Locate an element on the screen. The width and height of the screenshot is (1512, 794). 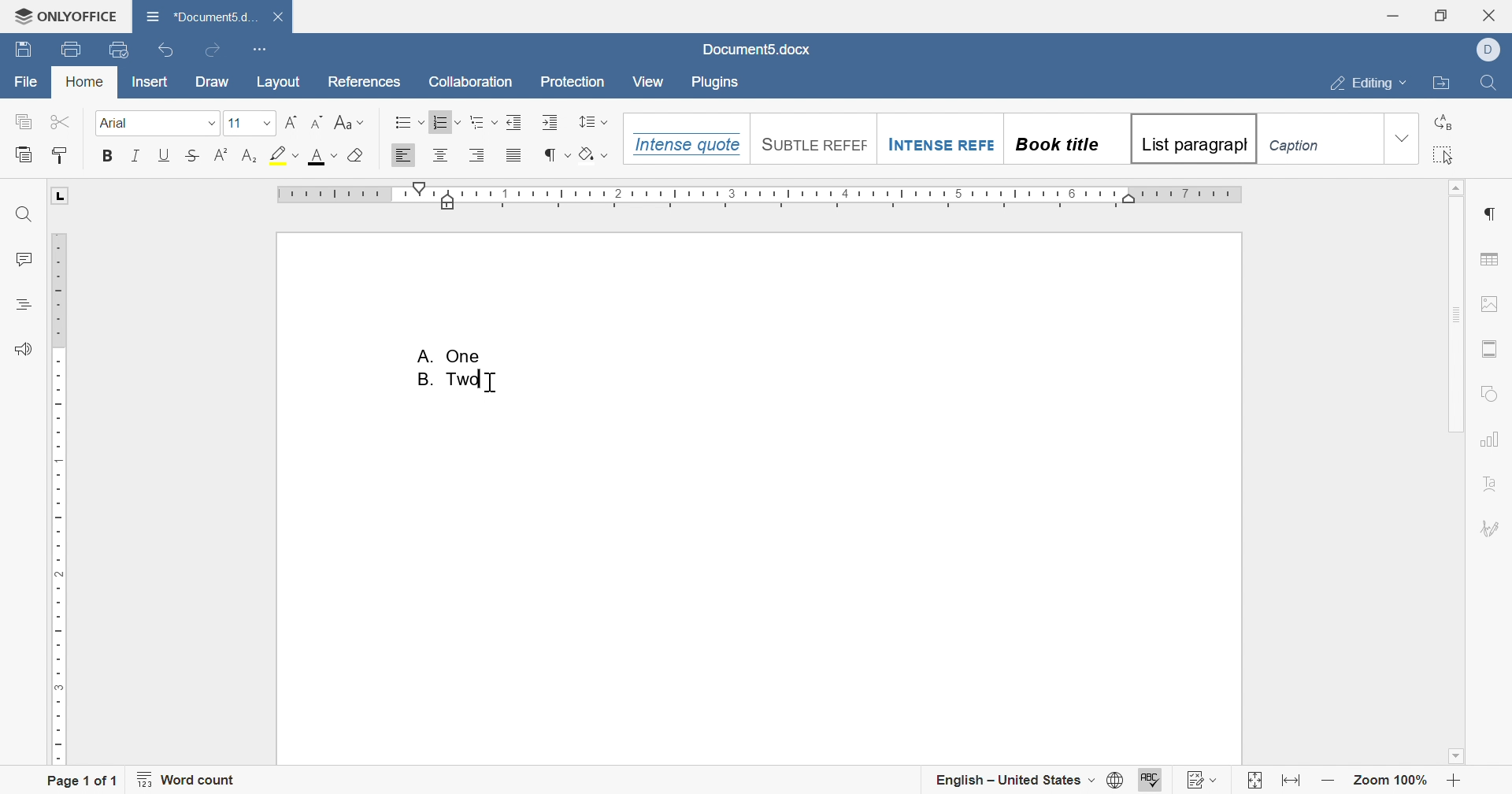
table settings is located at coordinates (1488, 259).